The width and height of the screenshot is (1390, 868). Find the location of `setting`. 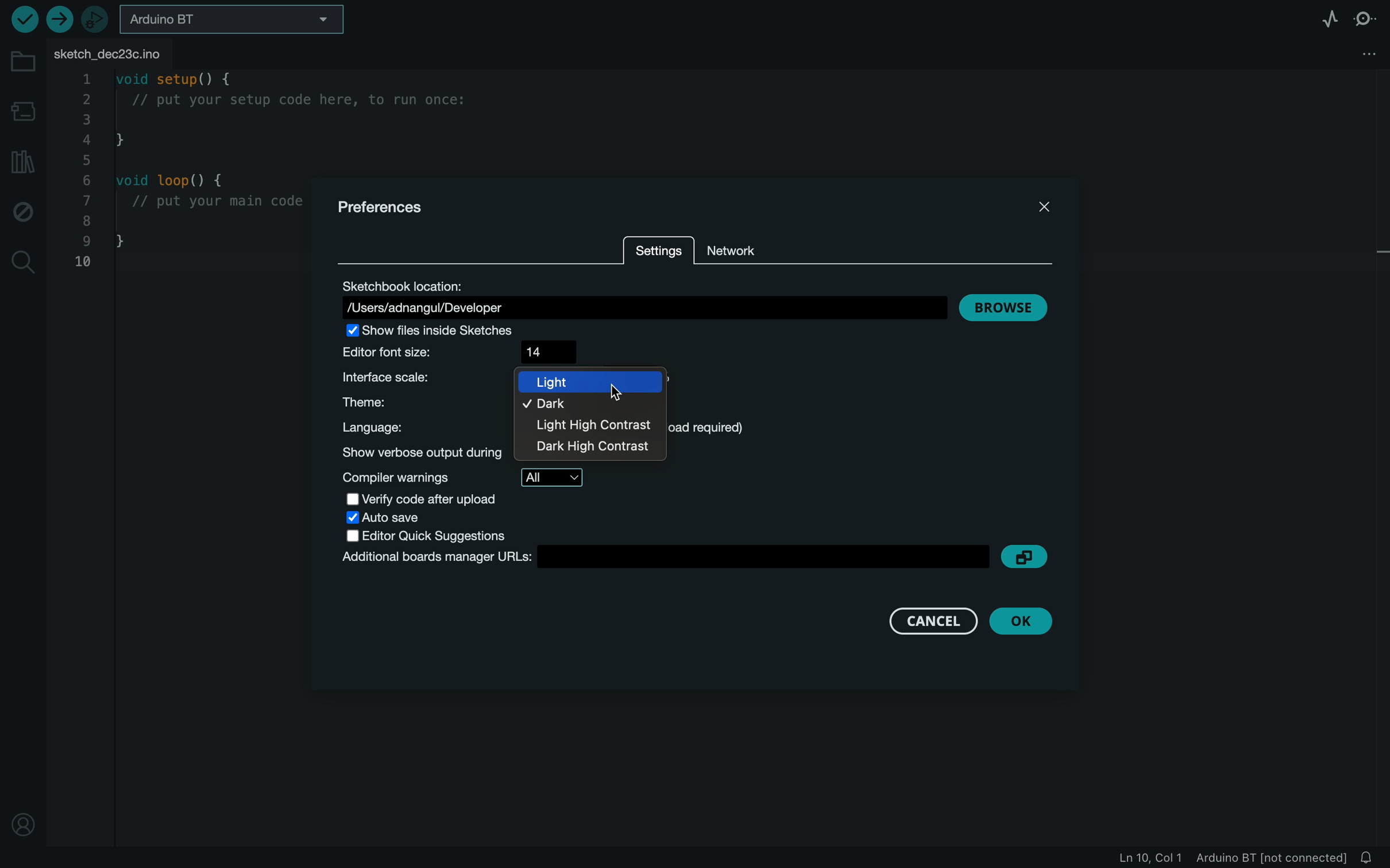

setting is located at coordinates (660, 256).